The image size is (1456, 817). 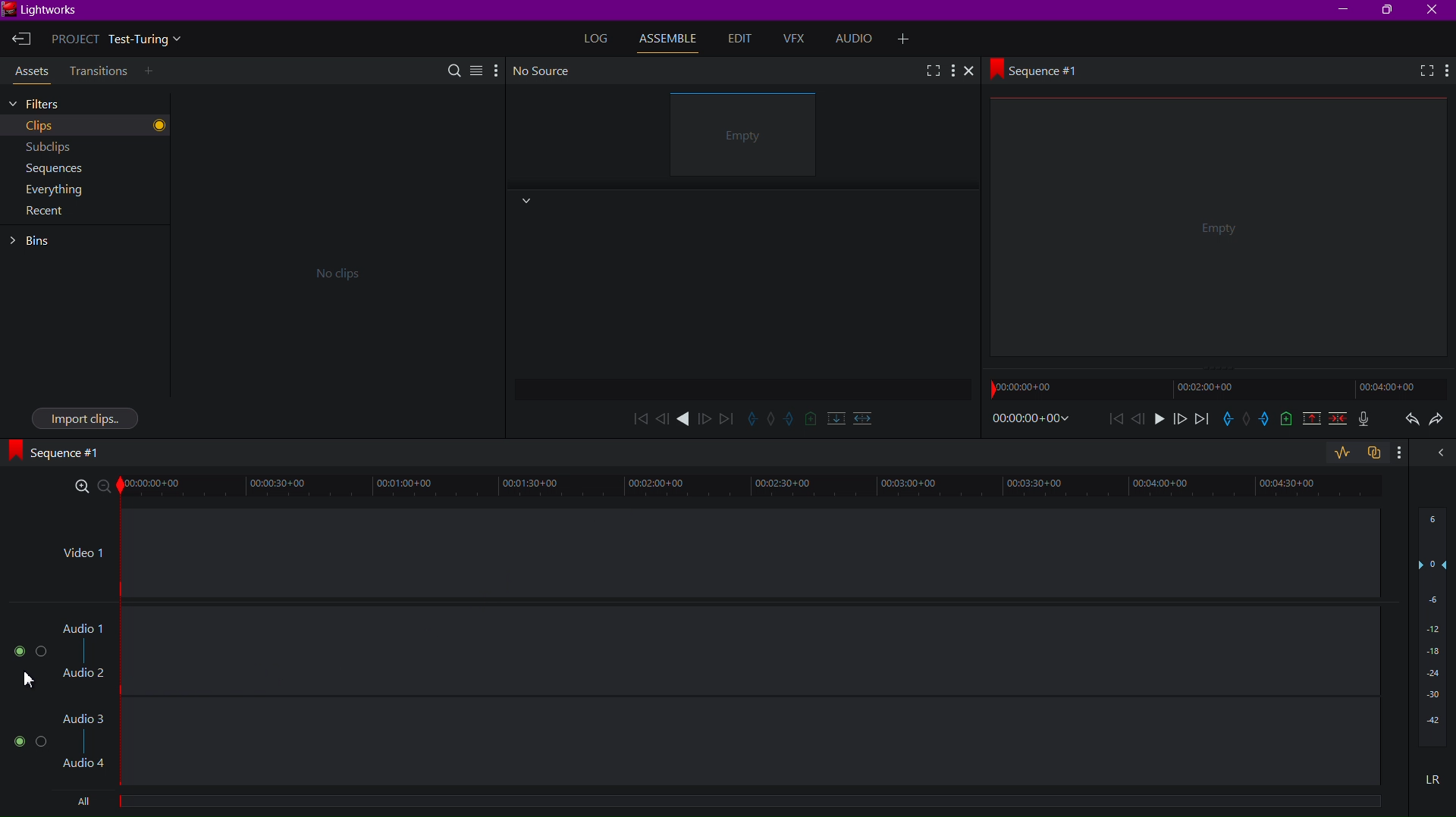 I want to click on play next, so click(x=726, y=418).